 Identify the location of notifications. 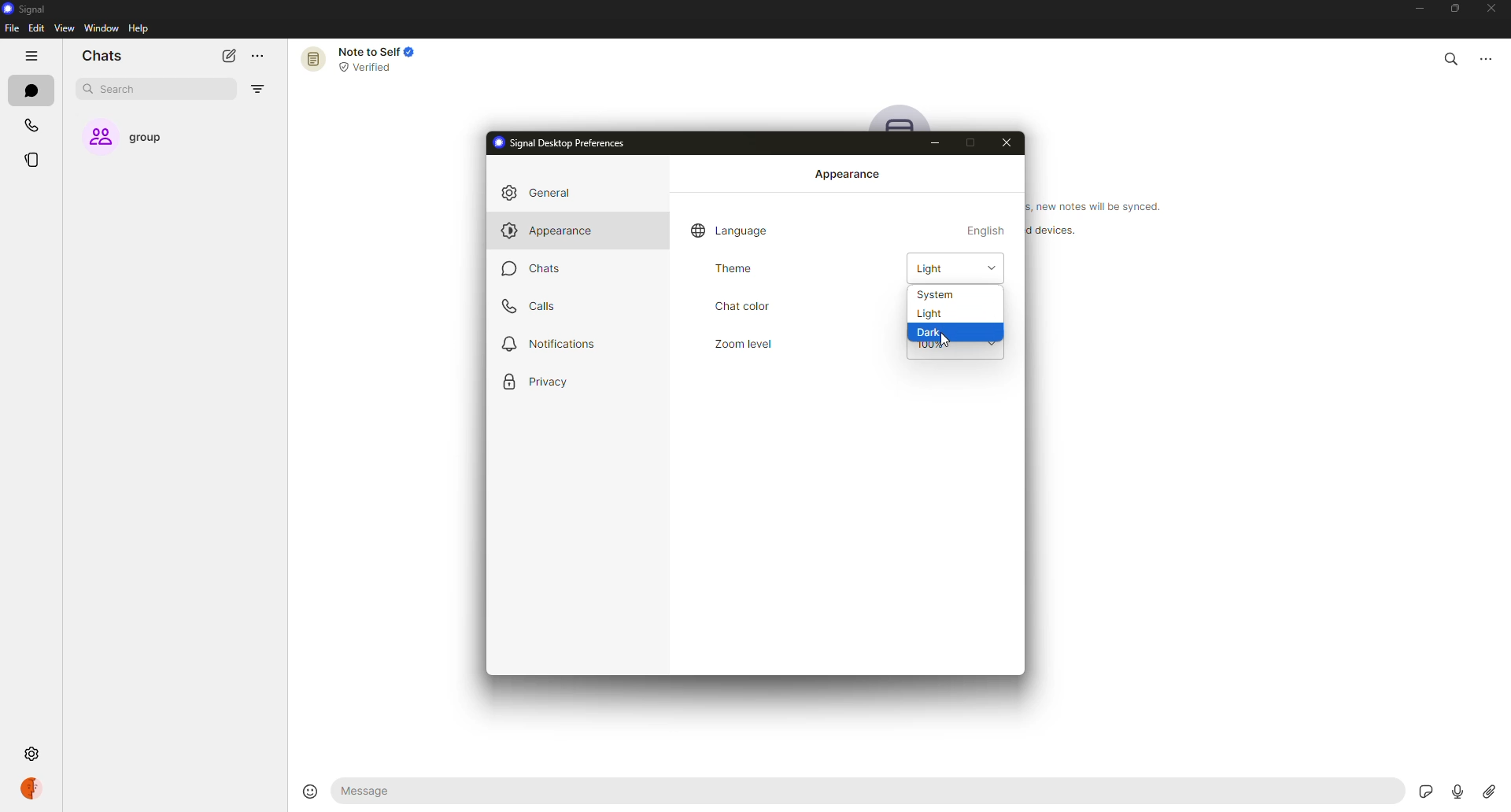
(552, 341).